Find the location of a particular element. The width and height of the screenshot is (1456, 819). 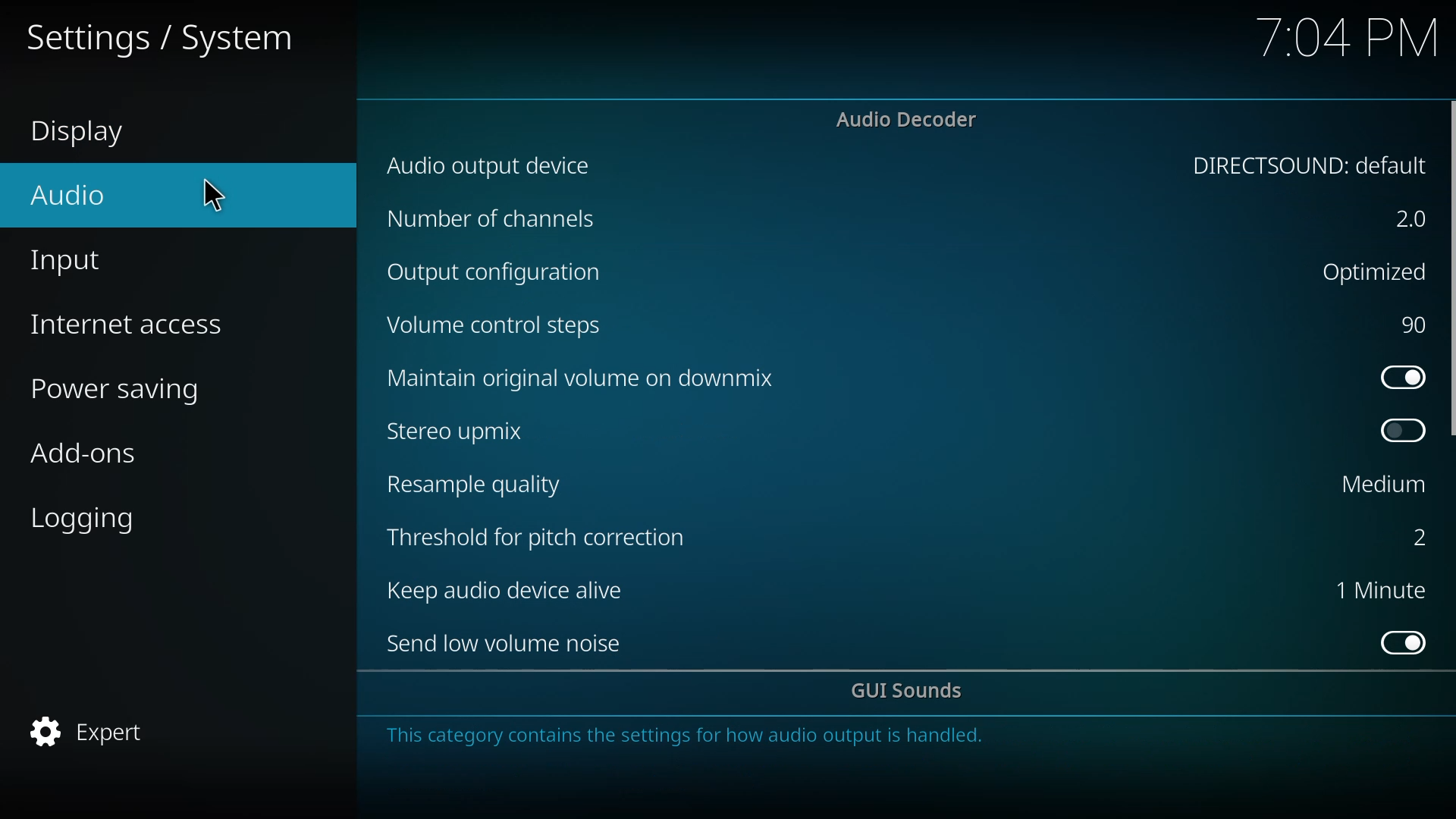

1 min is located at coordinates (1380, 589).